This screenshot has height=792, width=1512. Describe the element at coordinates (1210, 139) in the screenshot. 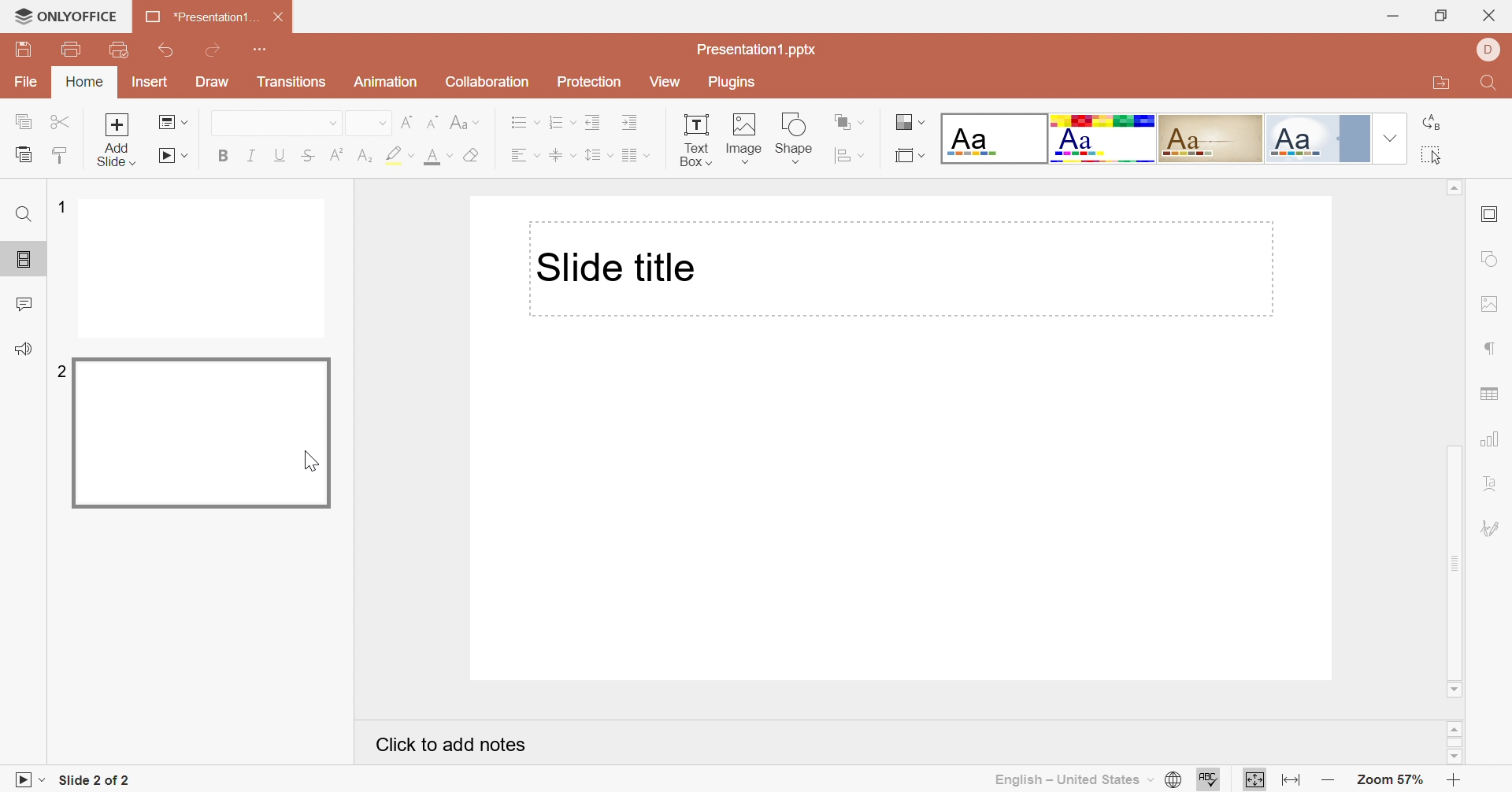

I see `Classic` at that location.